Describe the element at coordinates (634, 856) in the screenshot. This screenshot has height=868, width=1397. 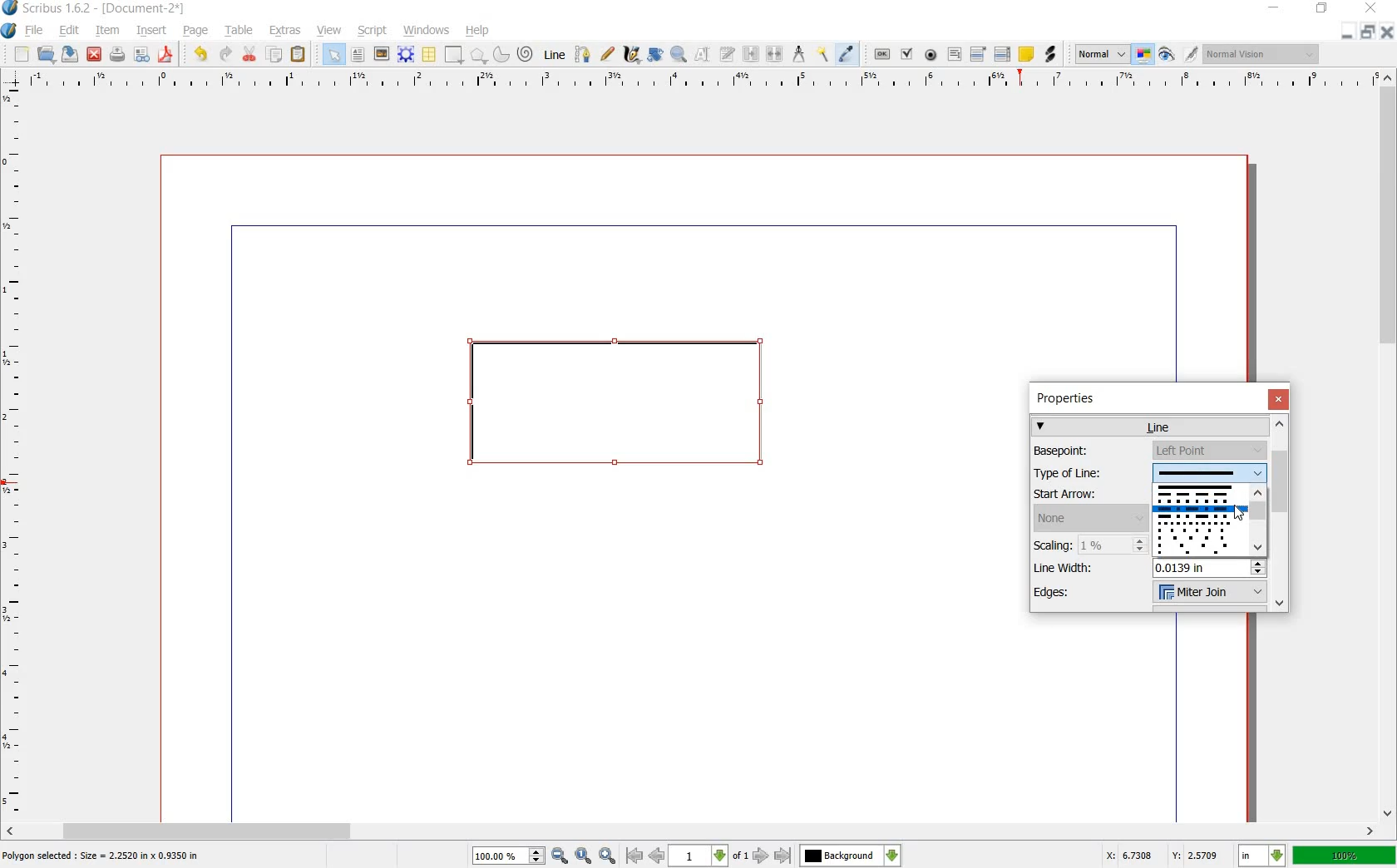
I see `go to first page` at that location.